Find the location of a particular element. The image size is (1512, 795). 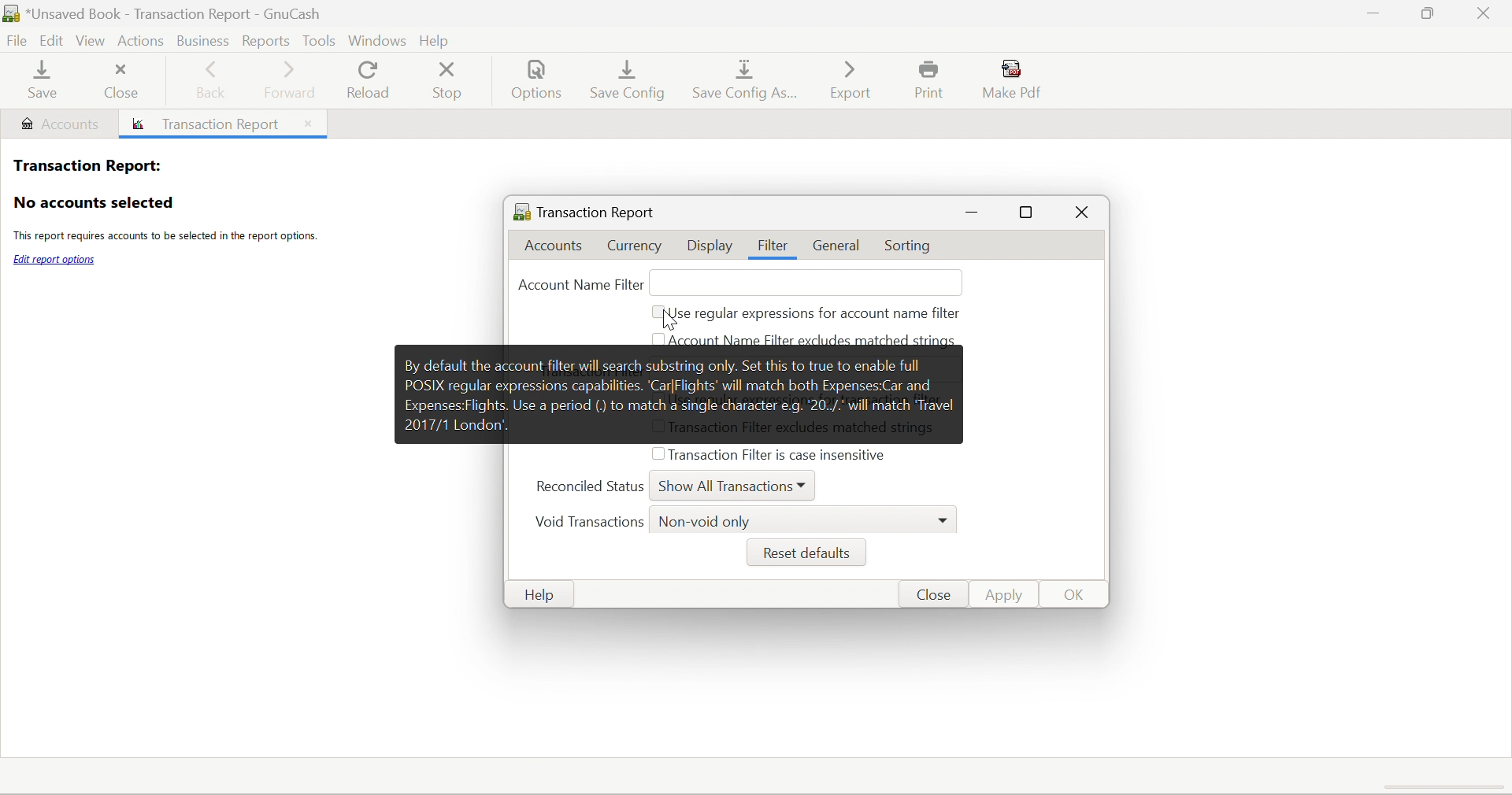

Close is located at coordinates (932, 595).